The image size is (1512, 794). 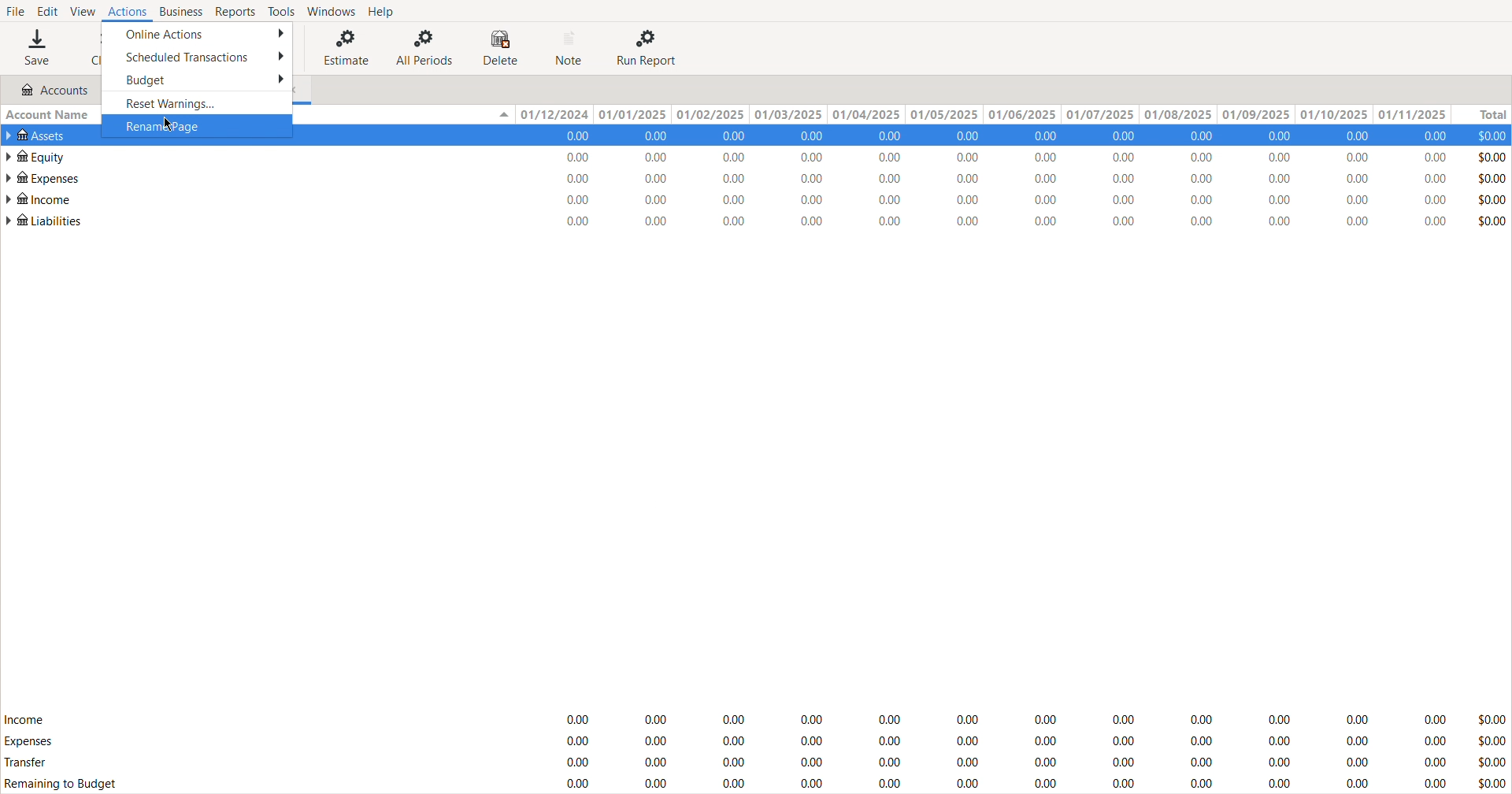 I want to click on Transfer, so click(x=28, y=764).